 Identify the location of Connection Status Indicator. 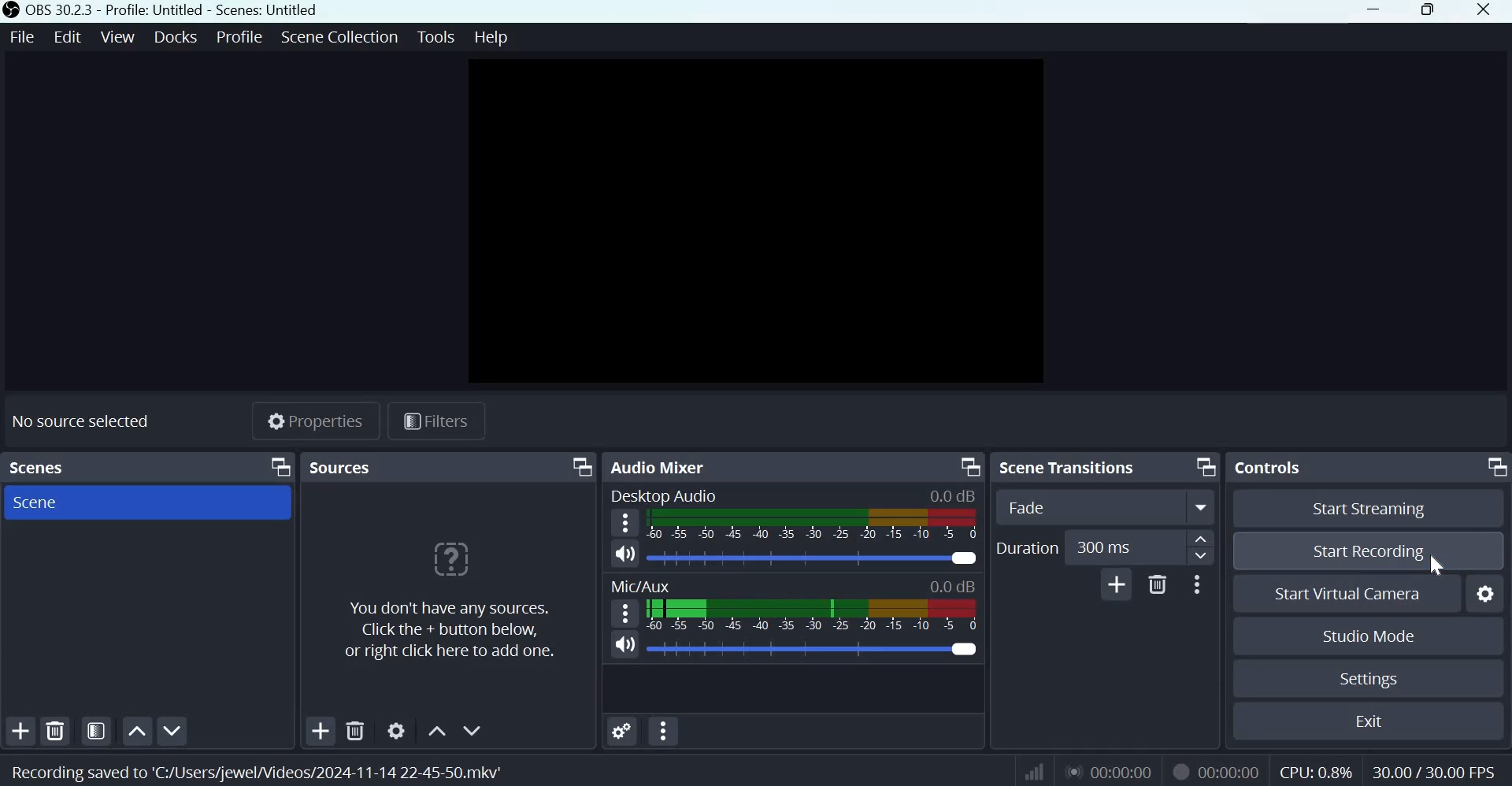
(1033, 770).